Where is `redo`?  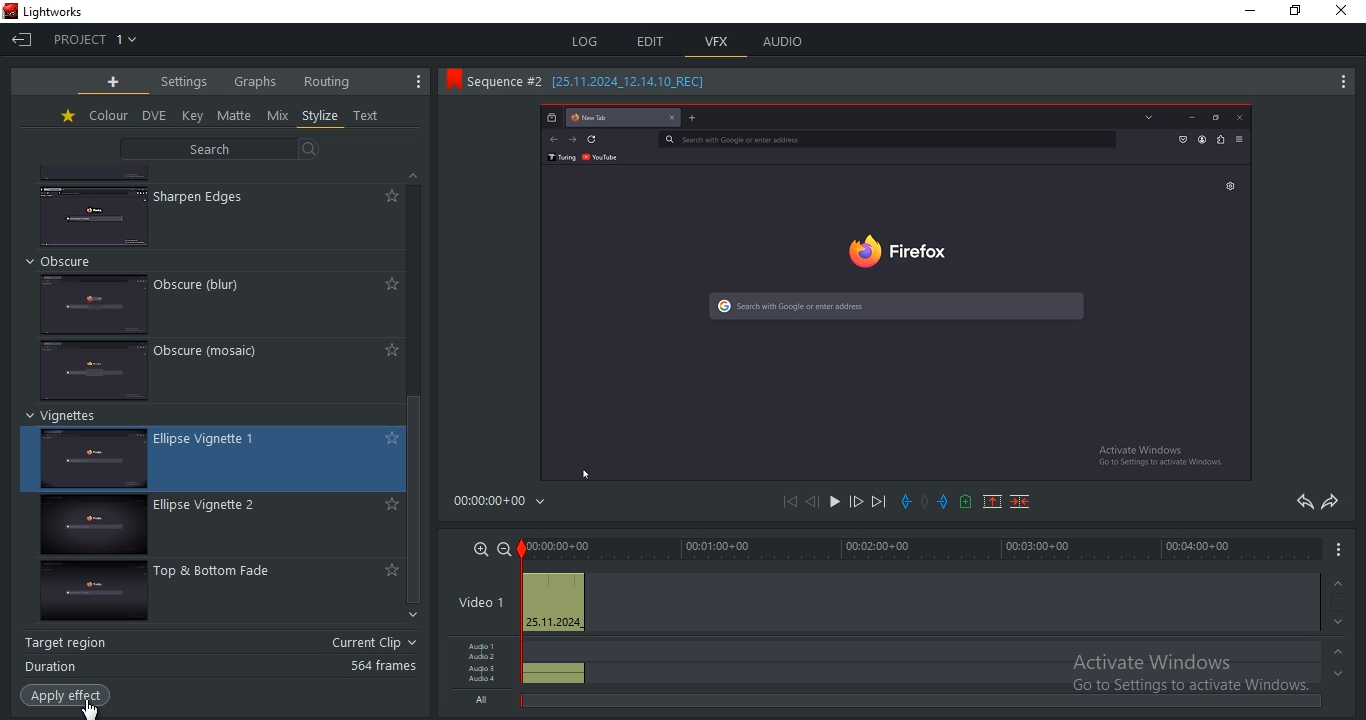
redo is located at coordinates (1329, 503).